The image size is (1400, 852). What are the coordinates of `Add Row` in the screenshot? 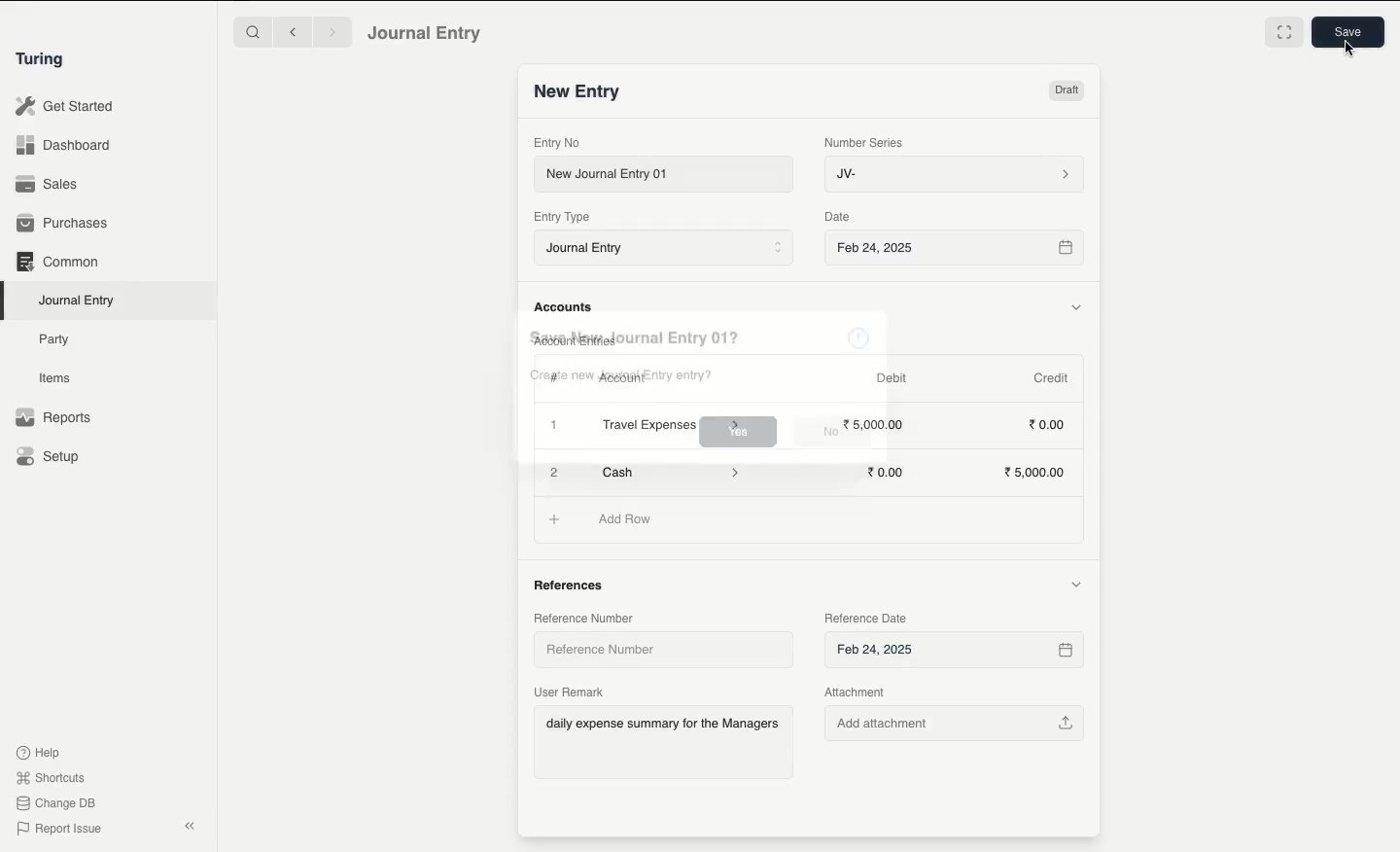 It's located at (626, 518).